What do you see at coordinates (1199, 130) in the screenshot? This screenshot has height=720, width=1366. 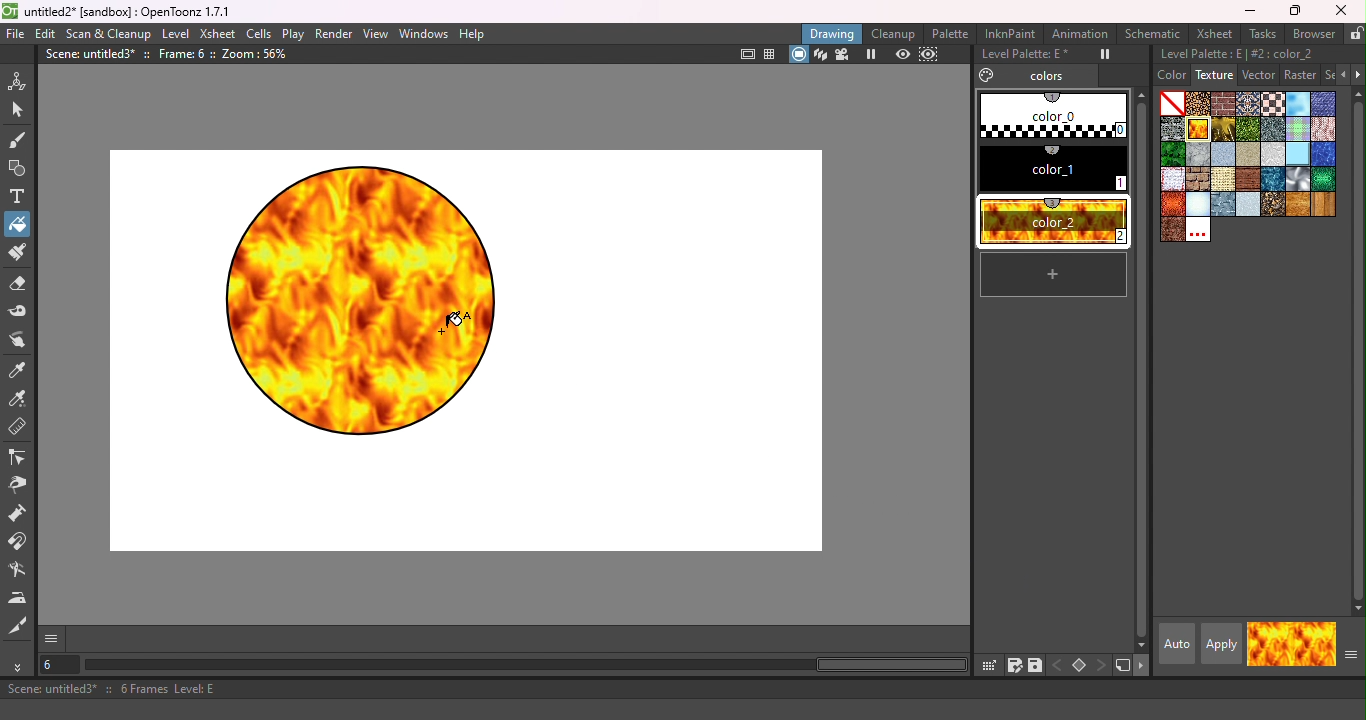 I see `flame.bmp` at bounding box center [1199, 130].